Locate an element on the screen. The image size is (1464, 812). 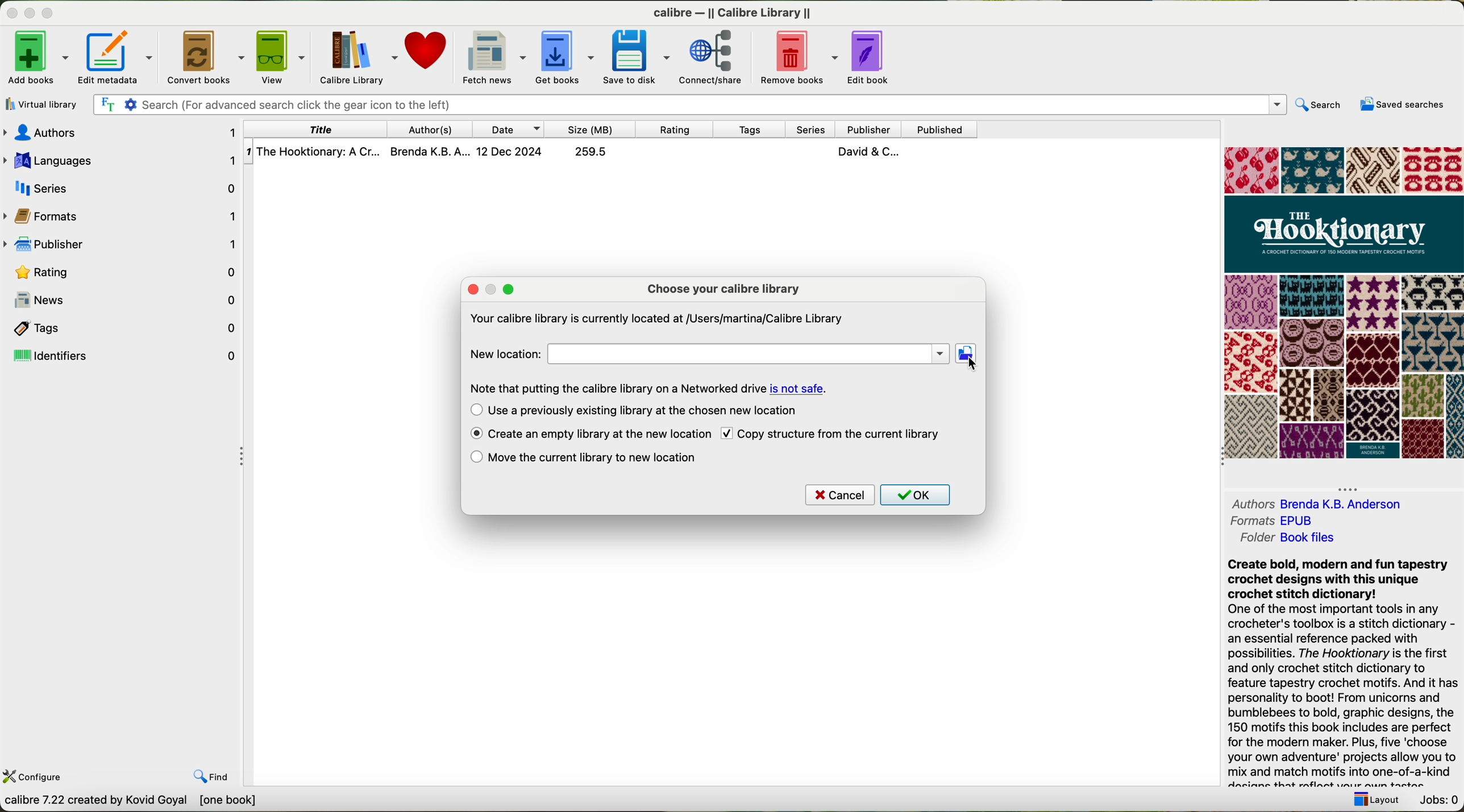
published is located at coordinates (944, 128).